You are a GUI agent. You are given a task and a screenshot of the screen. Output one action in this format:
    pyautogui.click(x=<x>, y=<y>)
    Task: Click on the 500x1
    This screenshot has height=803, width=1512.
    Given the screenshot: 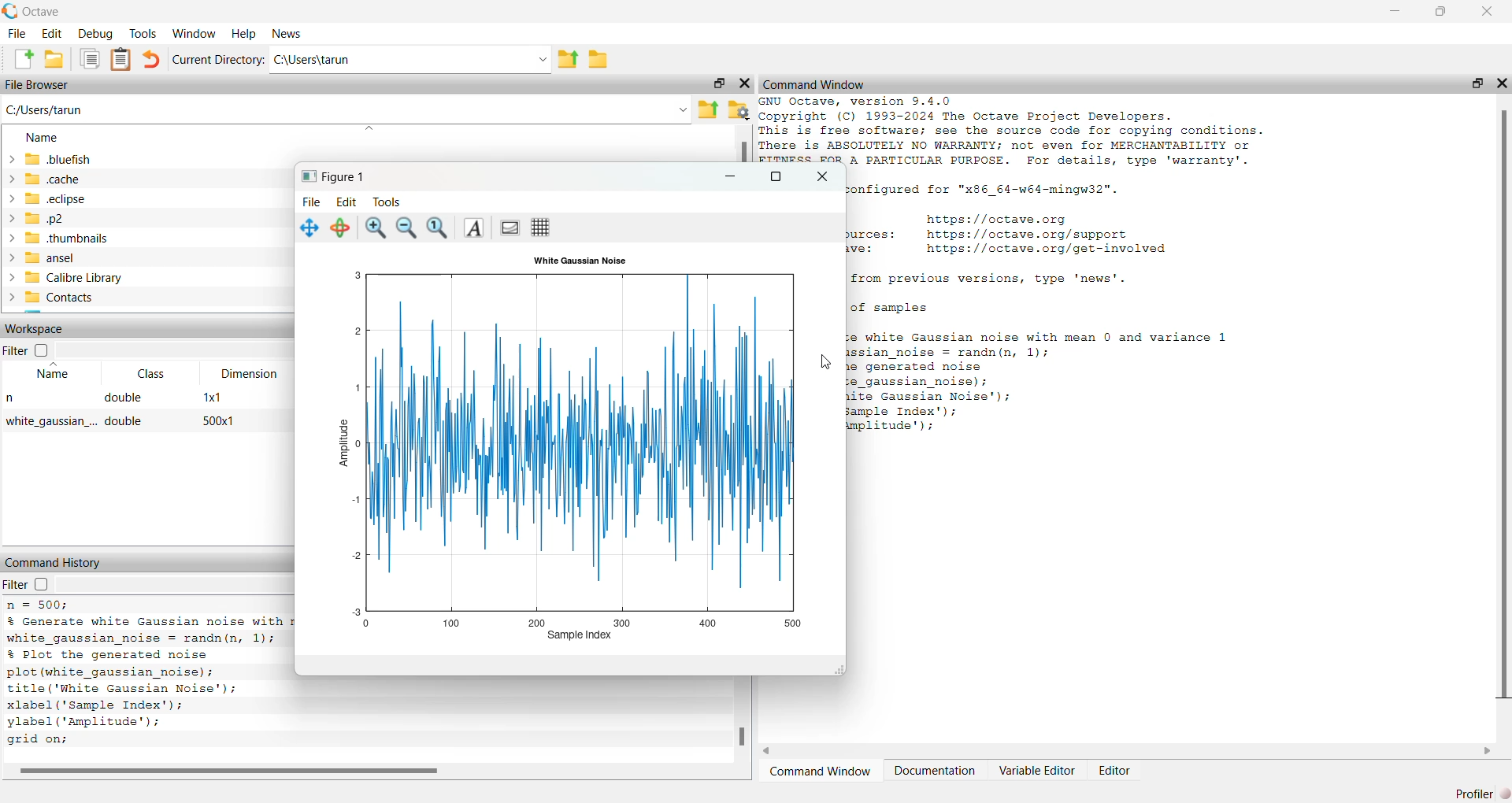 What is the action you would take?
    pyautogui.click(x=220, y=420)
    